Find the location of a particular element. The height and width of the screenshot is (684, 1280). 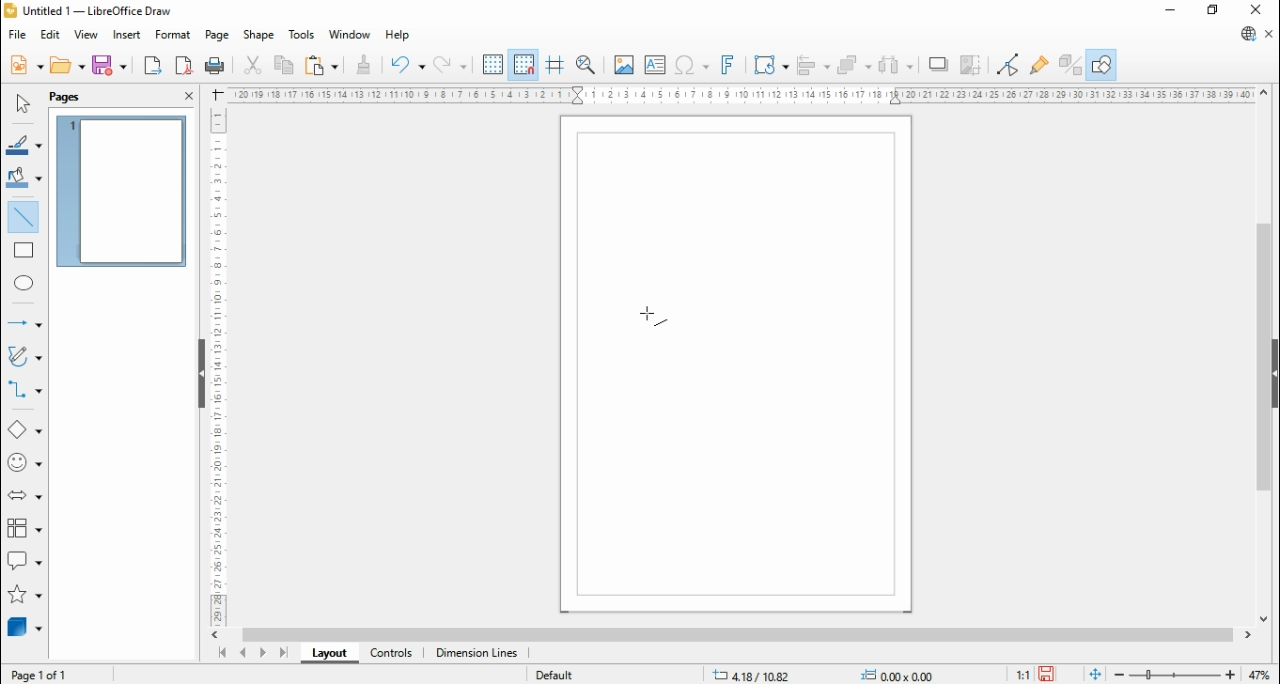

fill color is located at coordinates (24, 177).